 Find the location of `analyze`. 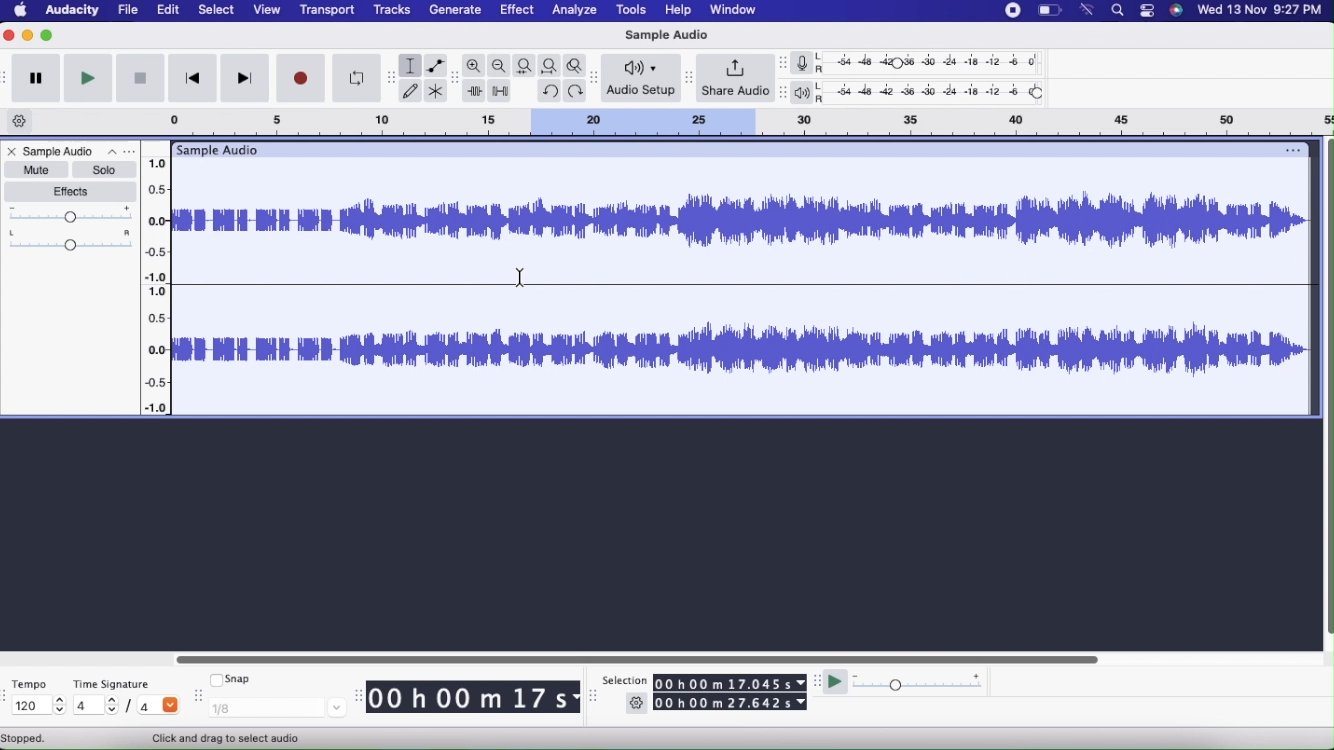

analyze is located at coordinates (576, 11).